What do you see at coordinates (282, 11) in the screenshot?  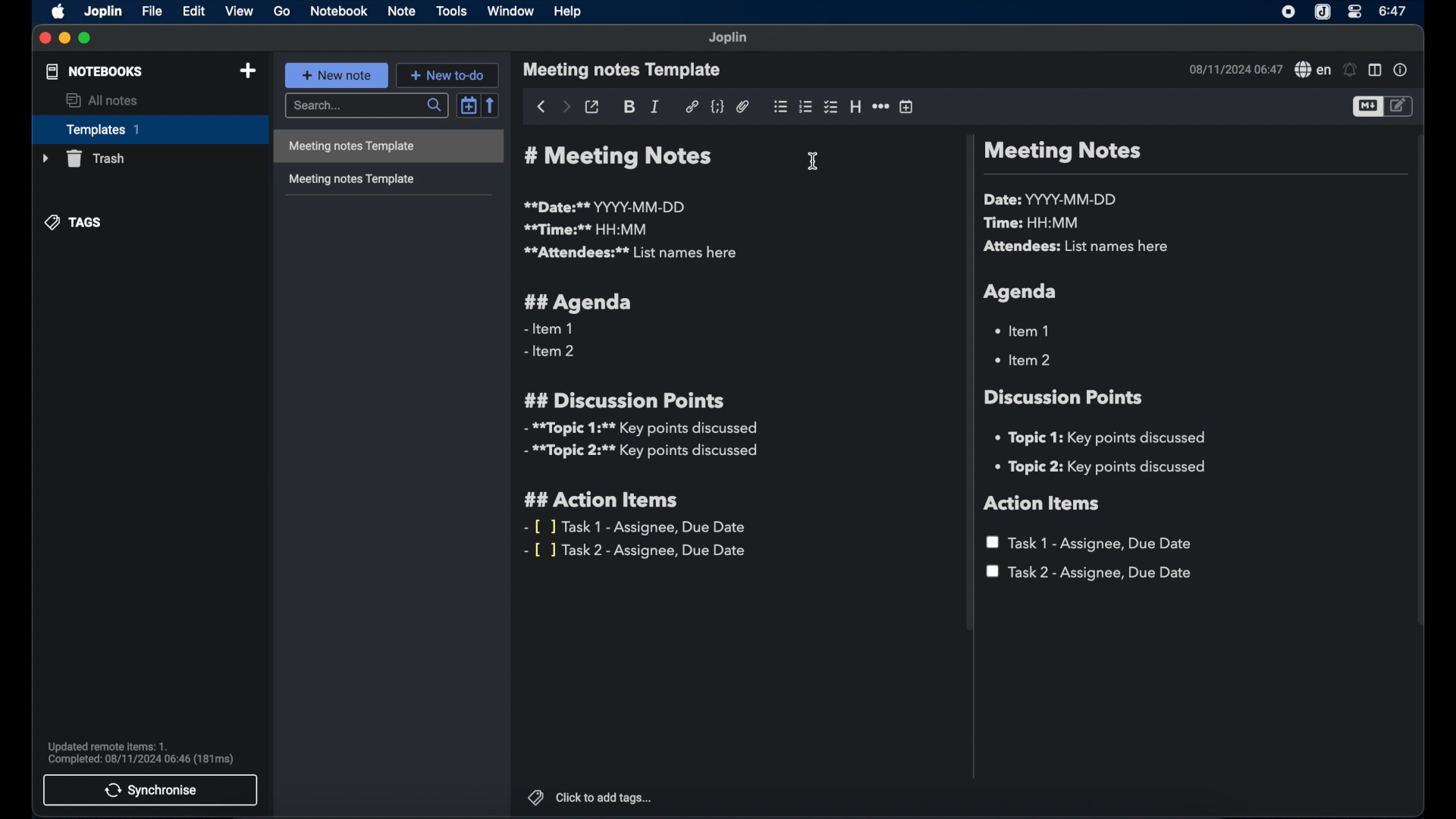 I see `go` at bounding box center [282, 11].